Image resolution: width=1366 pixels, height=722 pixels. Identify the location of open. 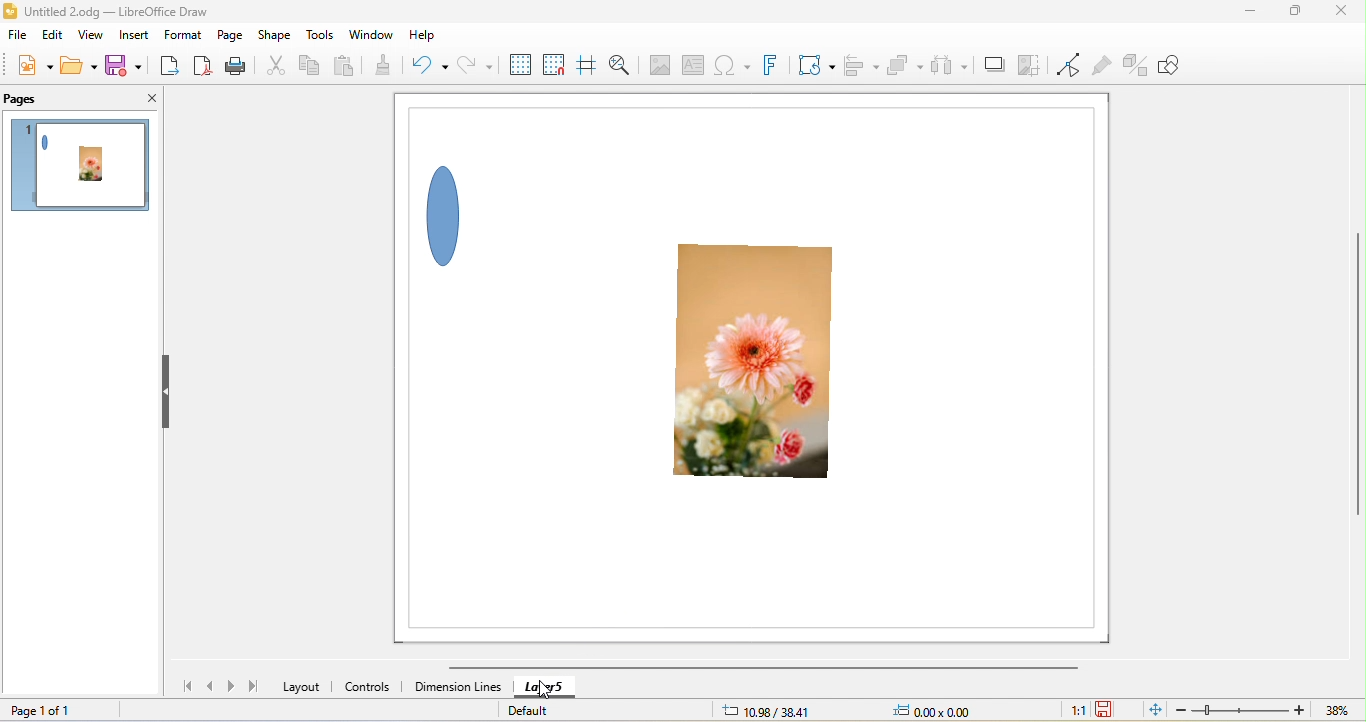
(76, 65).